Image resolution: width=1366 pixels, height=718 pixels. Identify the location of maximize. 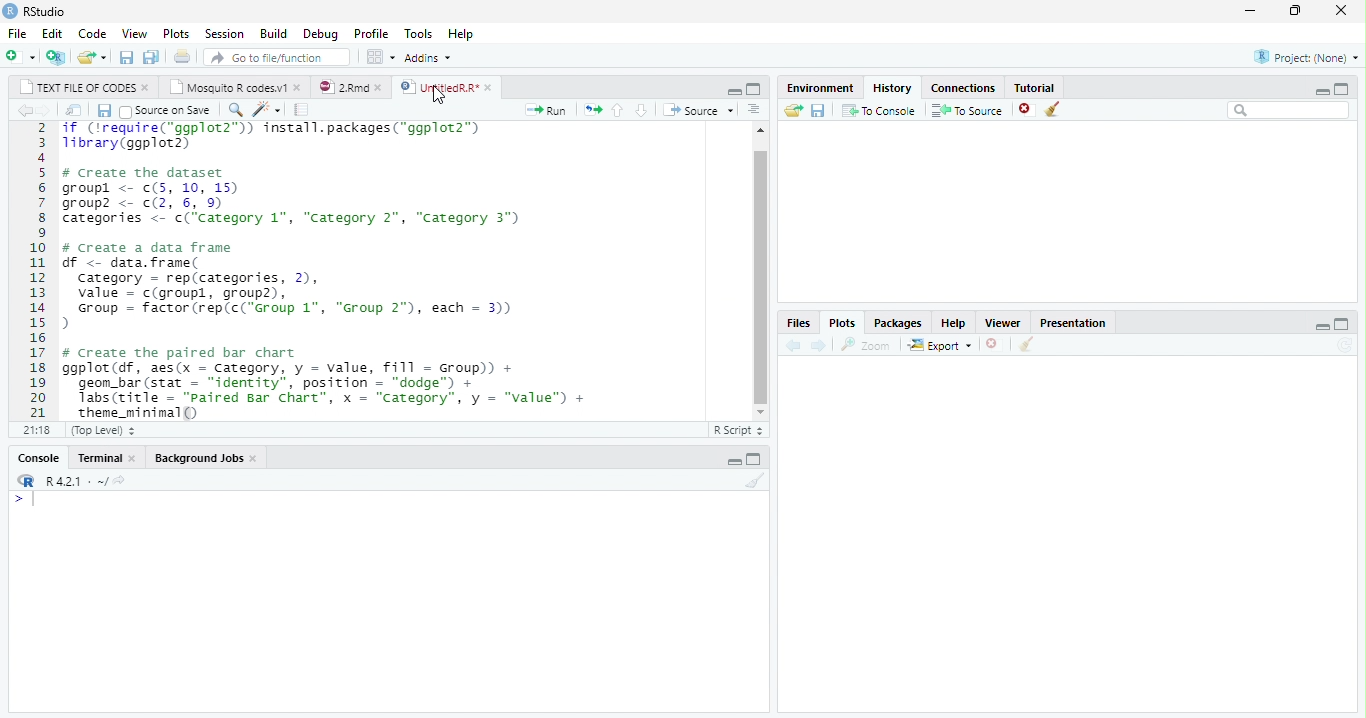
(758, 90).